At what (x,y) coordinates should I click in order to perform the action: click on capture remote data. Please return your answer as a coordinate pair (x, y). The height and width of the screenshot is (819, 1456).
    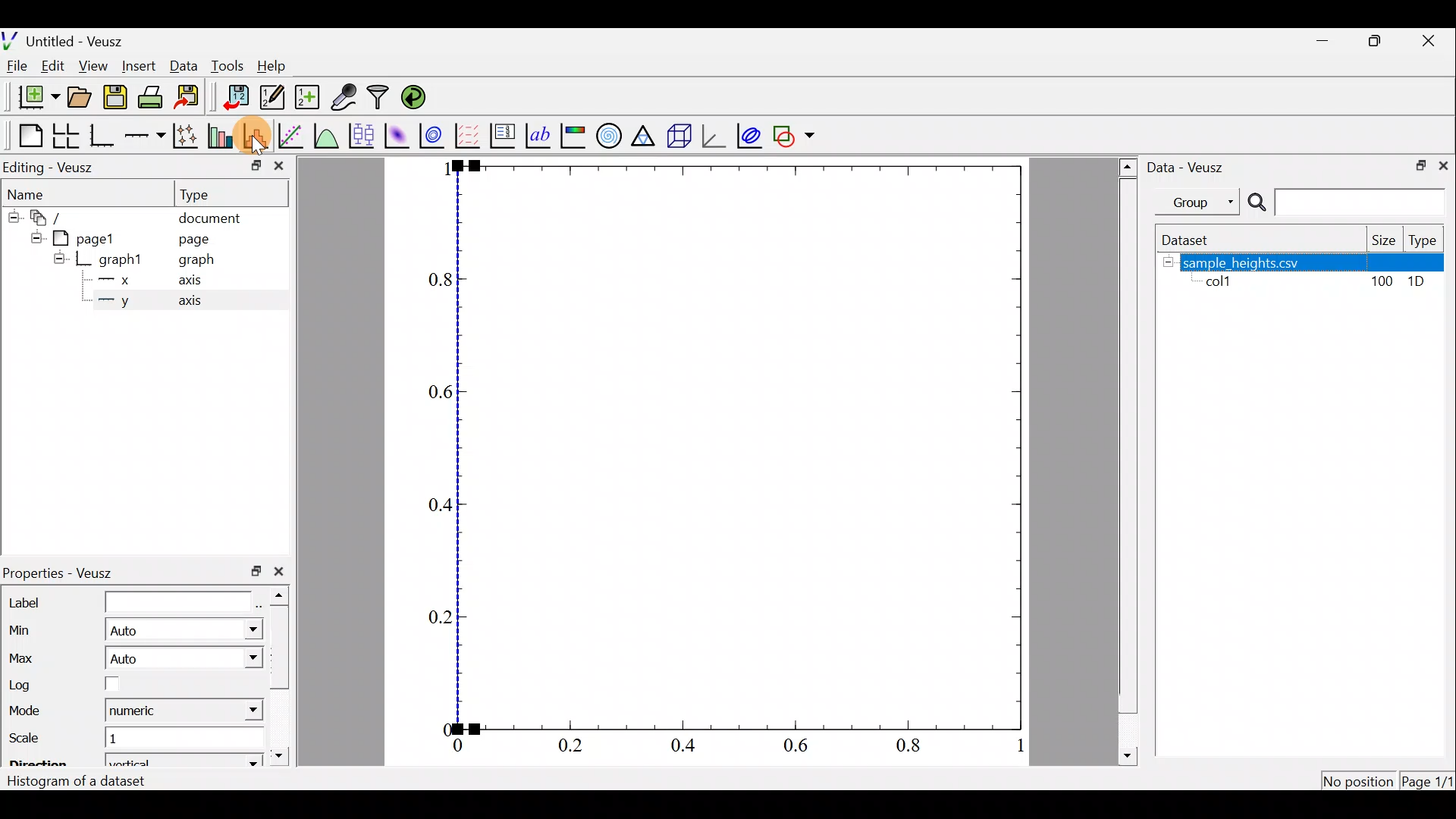
    Looking at the image, I should click on (343, 96).